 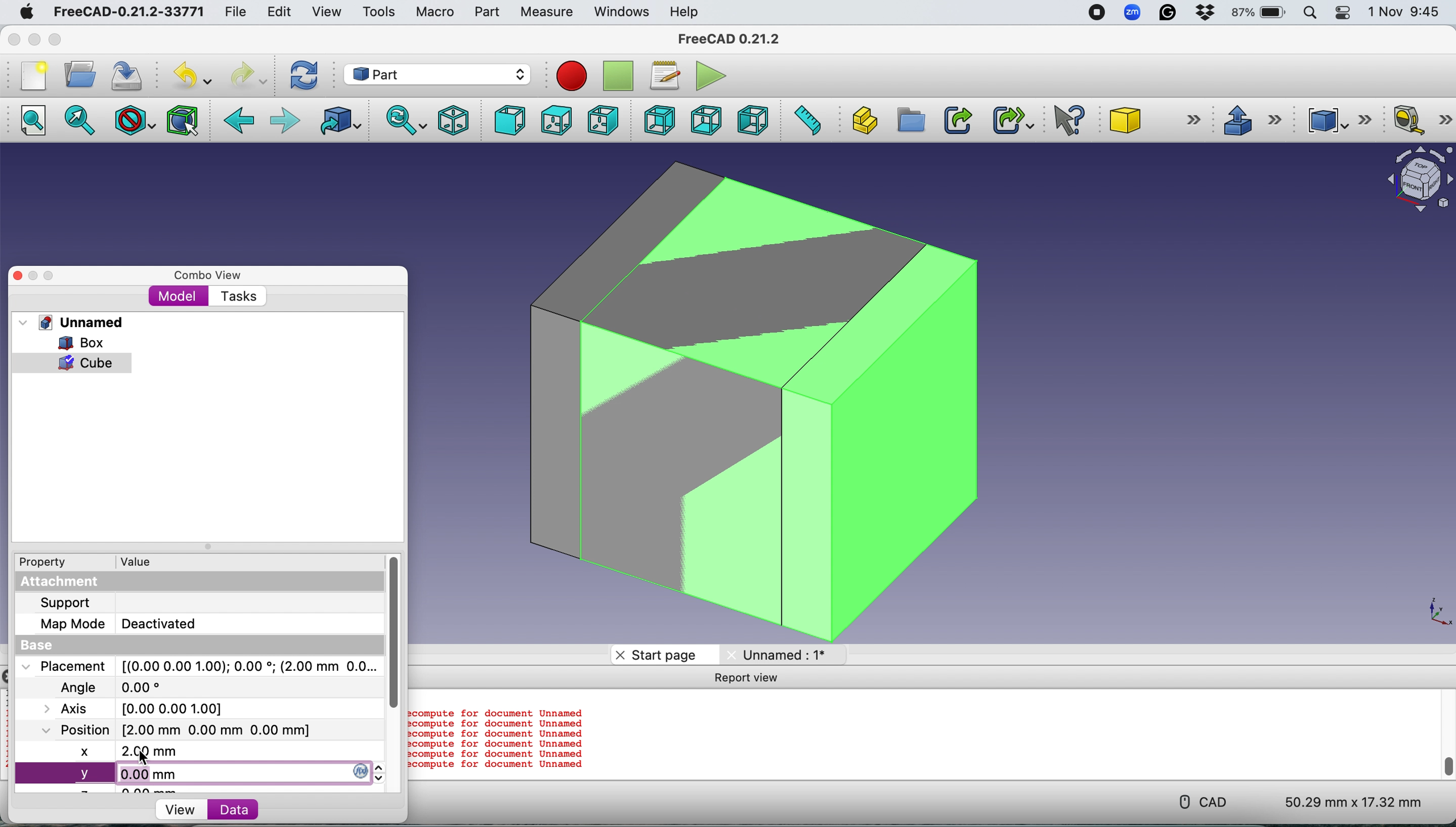 I want to click on cube selected, so click(x=78, y=364).